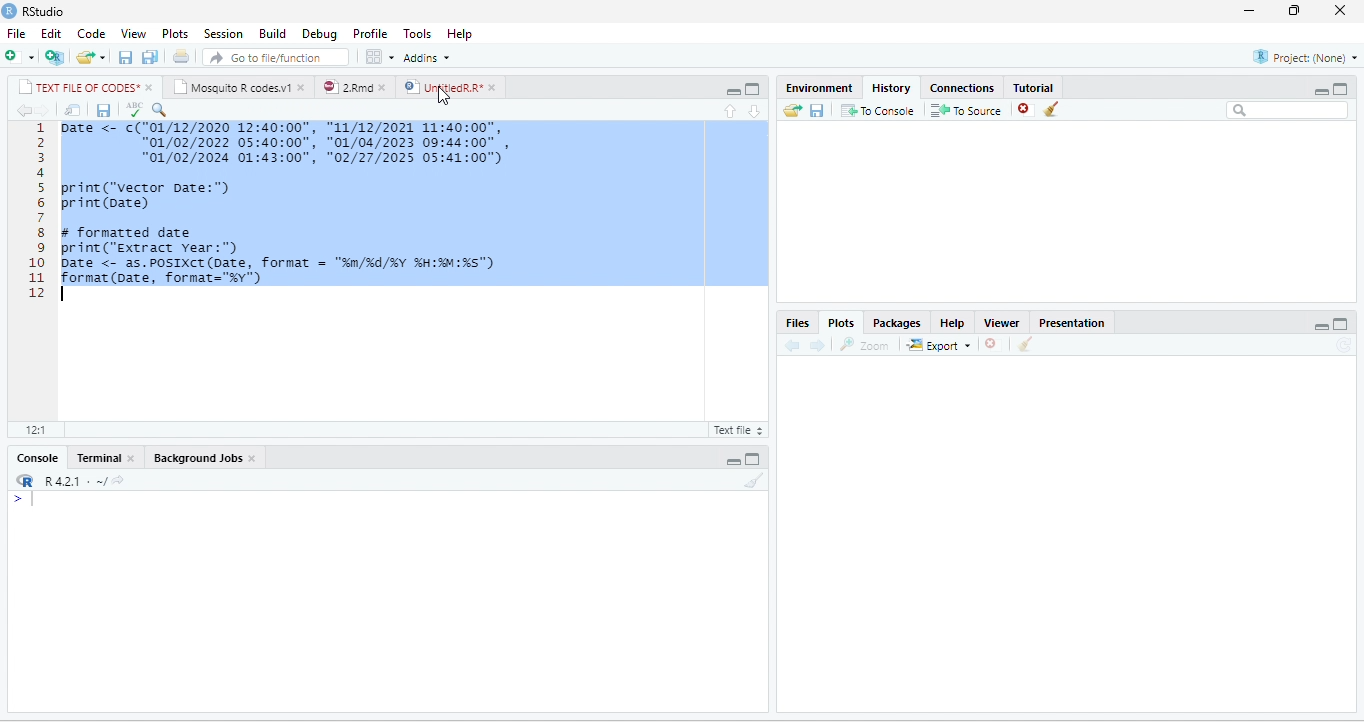 This screenshot has width=1364, height=722. I want to click on Environment, so click(820, 88).